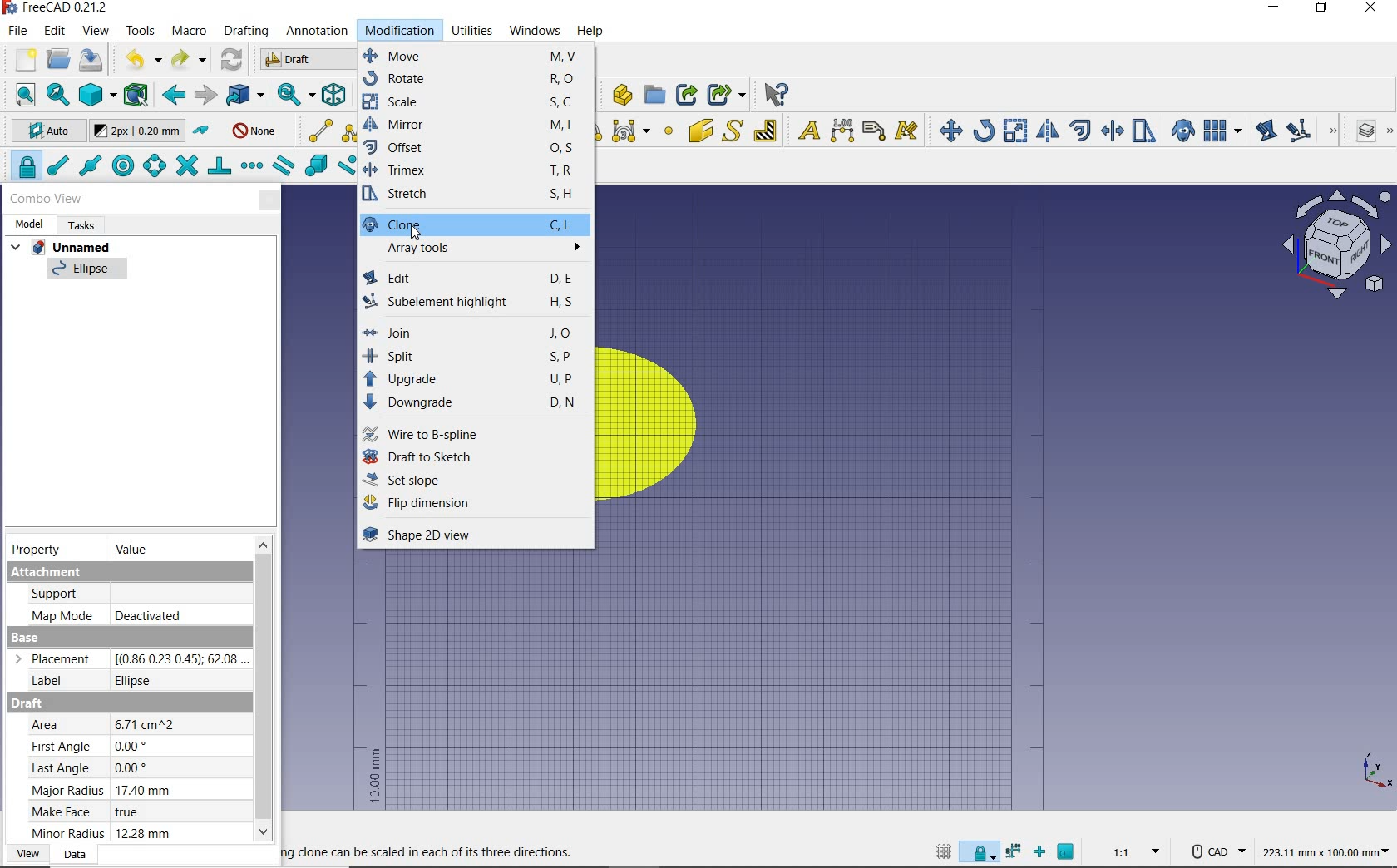  Describe the element at coordinates (128, 595) in the screenshot. I see `attachment` at that location.